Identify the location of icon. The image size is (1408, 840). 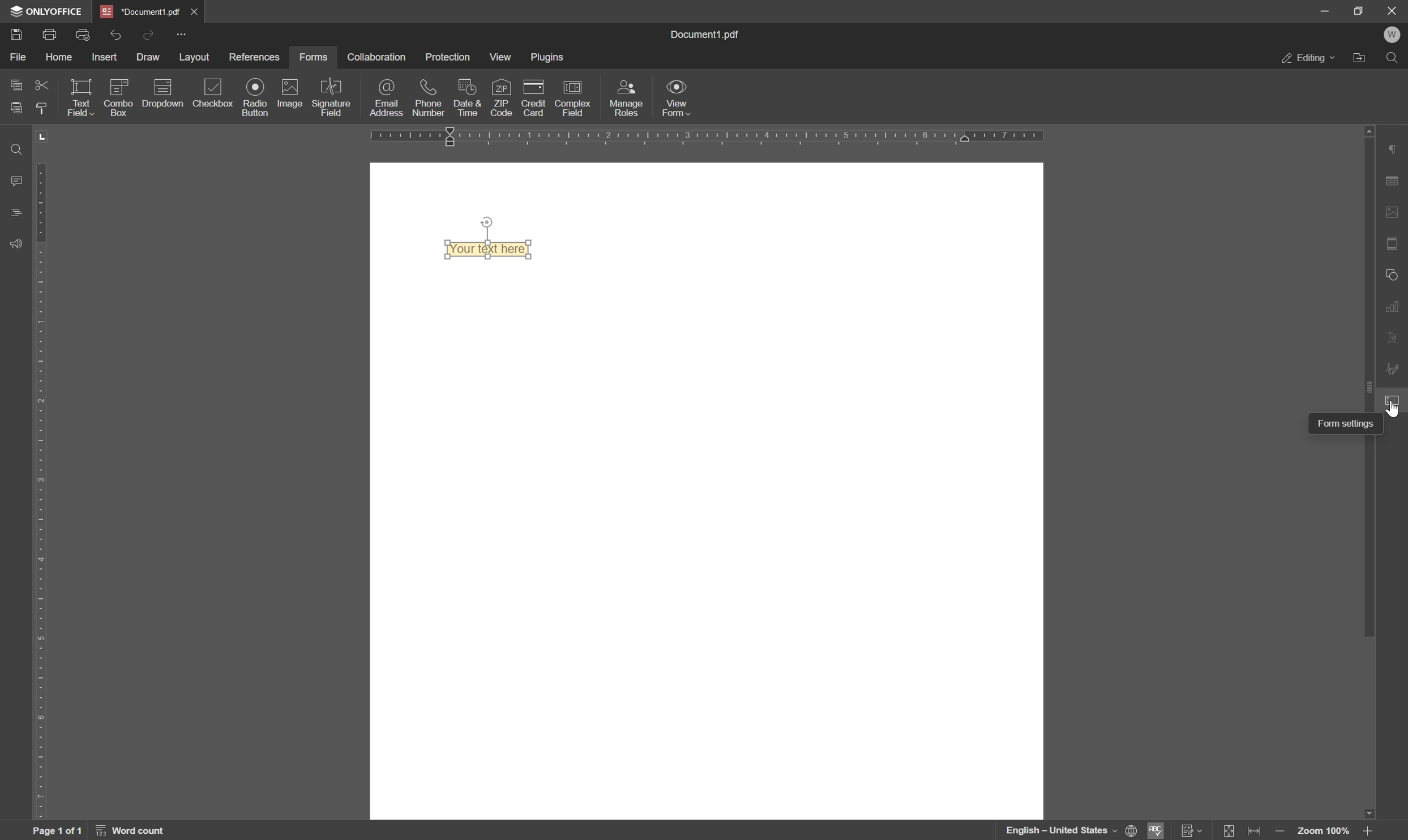
(164, 86).